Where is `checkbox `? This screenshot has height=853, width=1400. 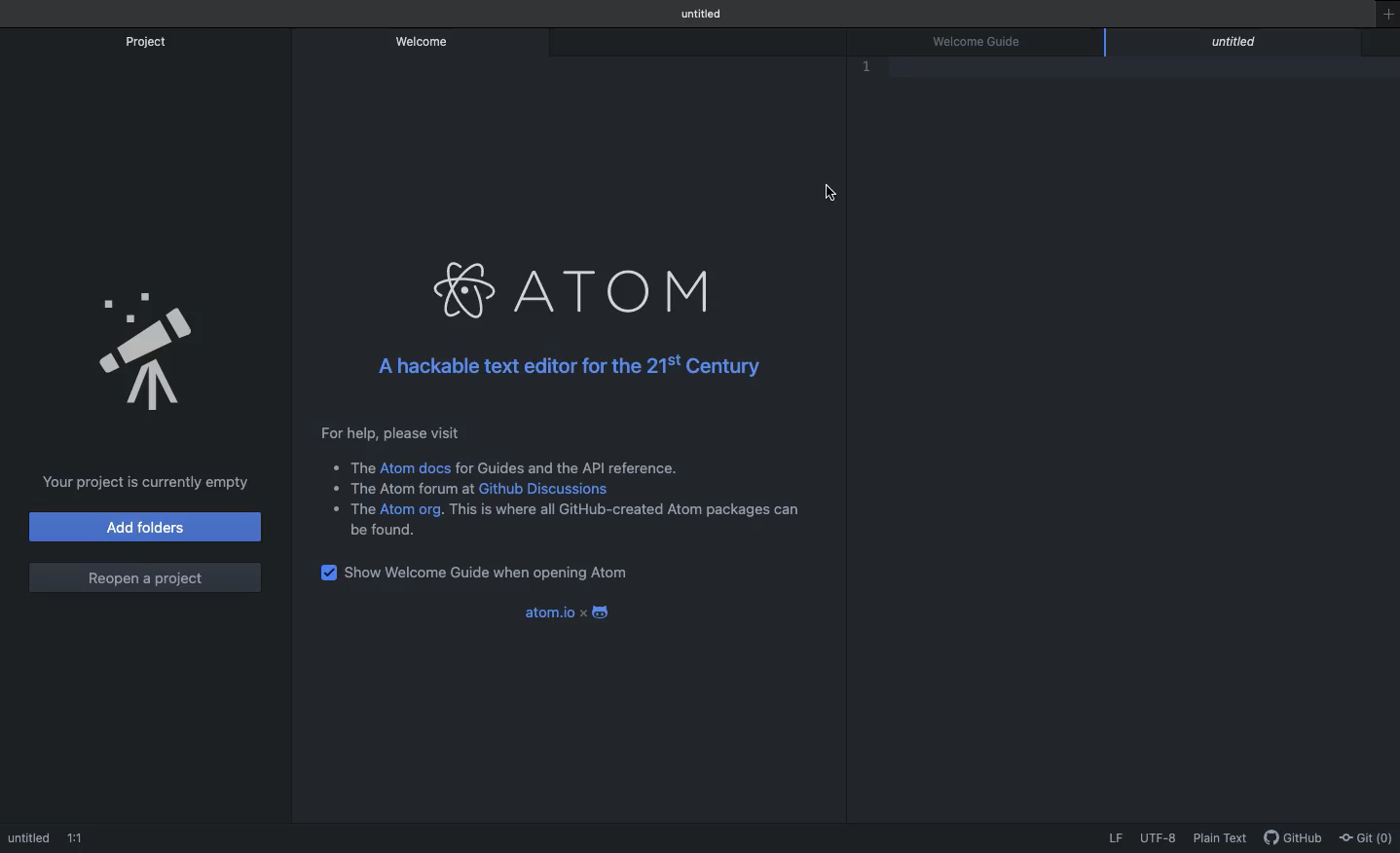 checkbox  is located at coordinates (327, 577).